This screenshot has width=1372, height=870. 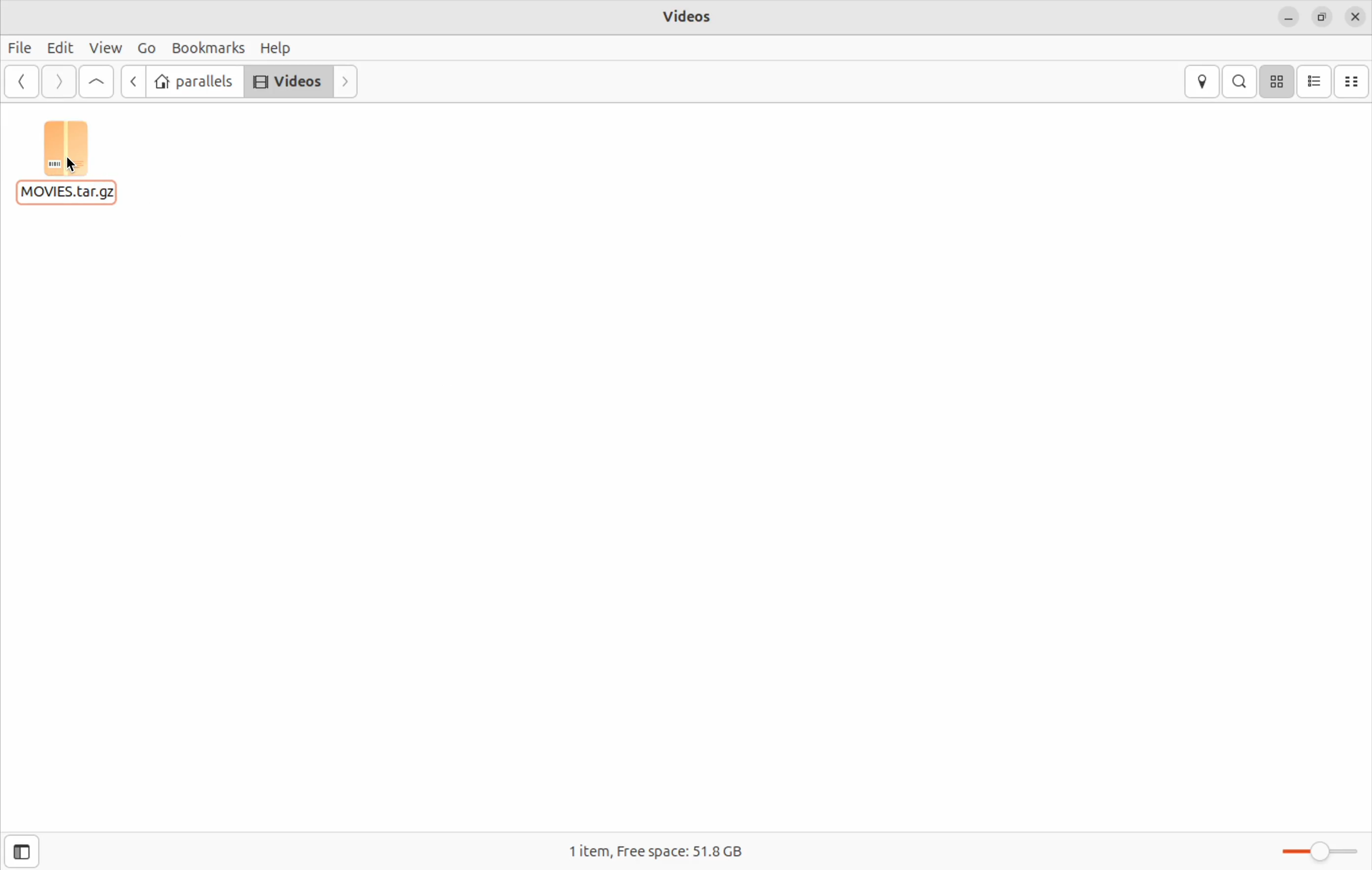 What do you see at coordinates (72, 165) in the screenshot?
I see `cursor` at bounding box center [72, 165].